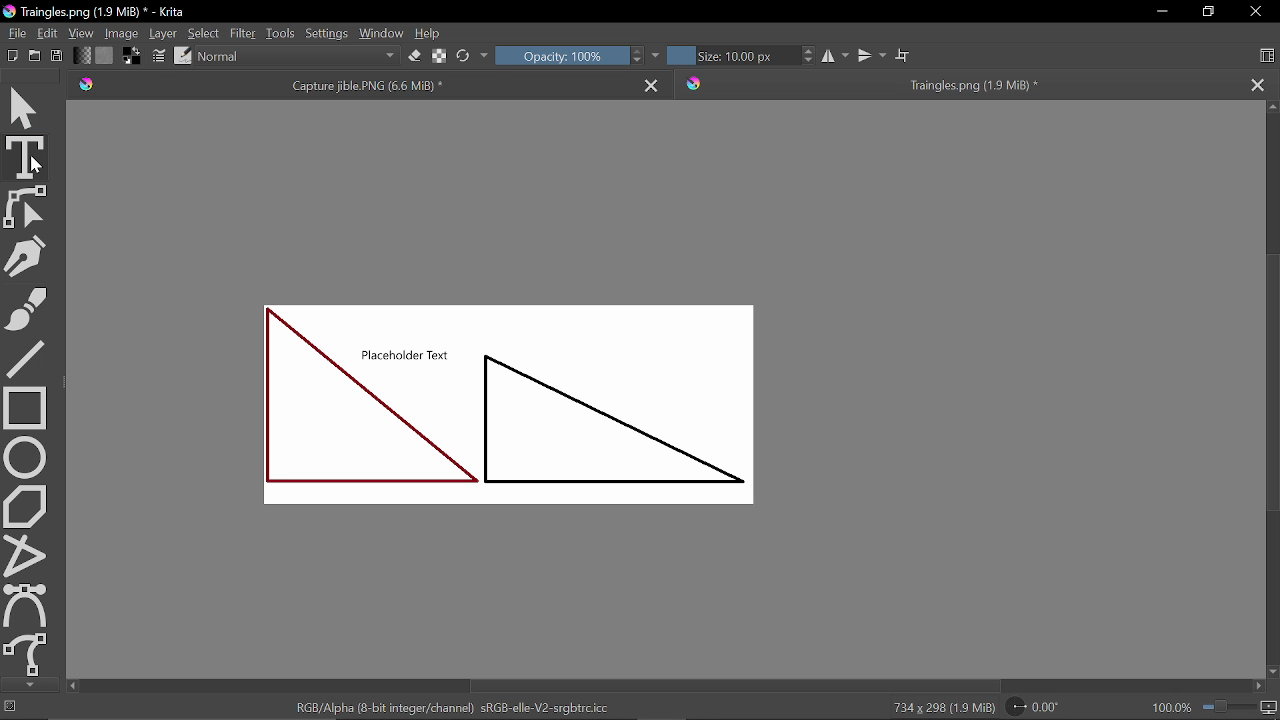  Describe the element at coordinates (28, 684) in the screenshot. I see `Move down tools` at that location.